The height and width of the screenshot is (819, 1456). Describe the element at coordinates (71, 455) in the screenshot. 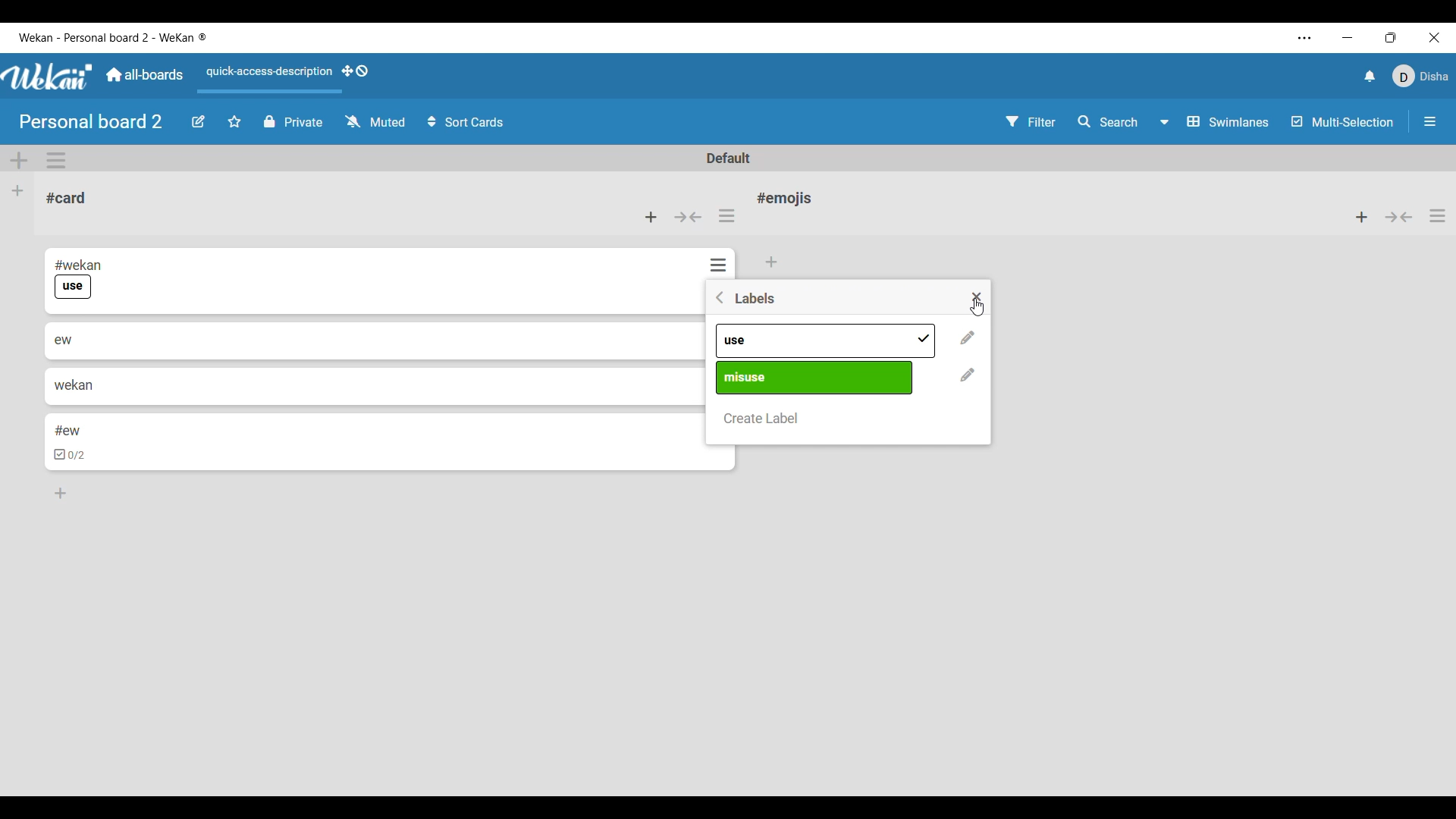

I see `checkbox ` at that location.